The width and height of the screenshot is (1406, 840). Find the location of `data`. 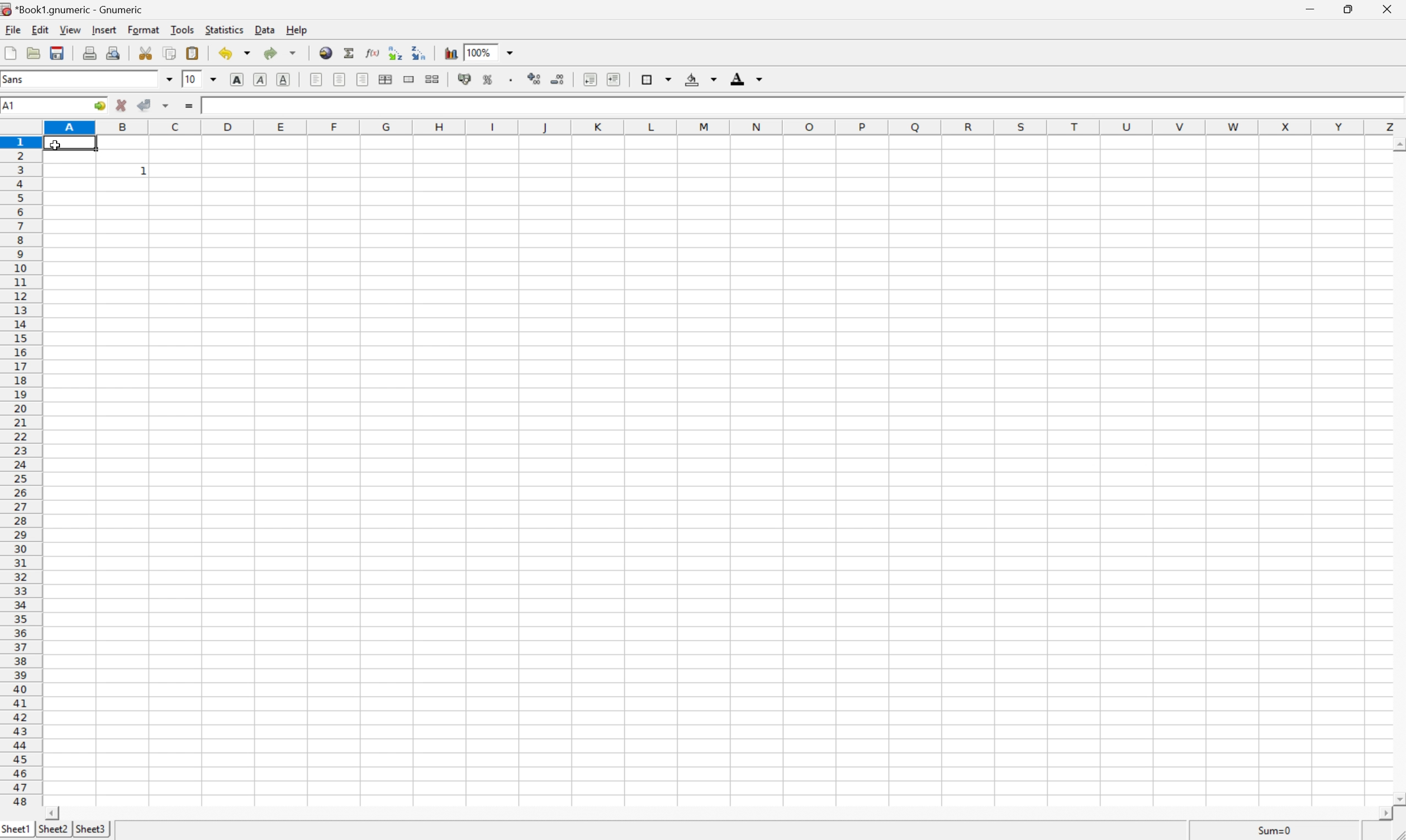

data is located at coordinates (266, 30).